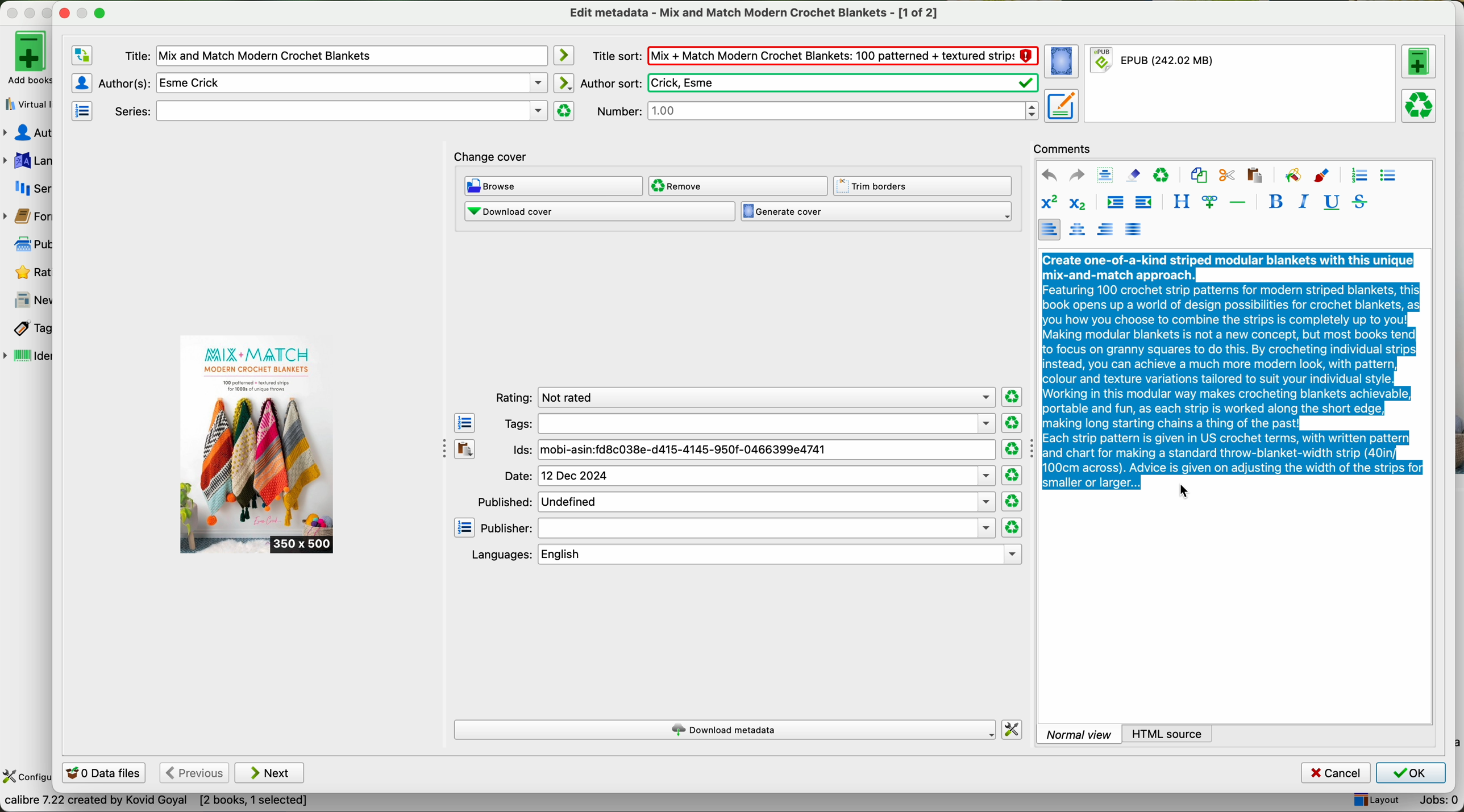 The height and width of the screenshot is (812, 1464). Describe the element at coordinates (27, 188) in the screenshot. I see `series` at that location.